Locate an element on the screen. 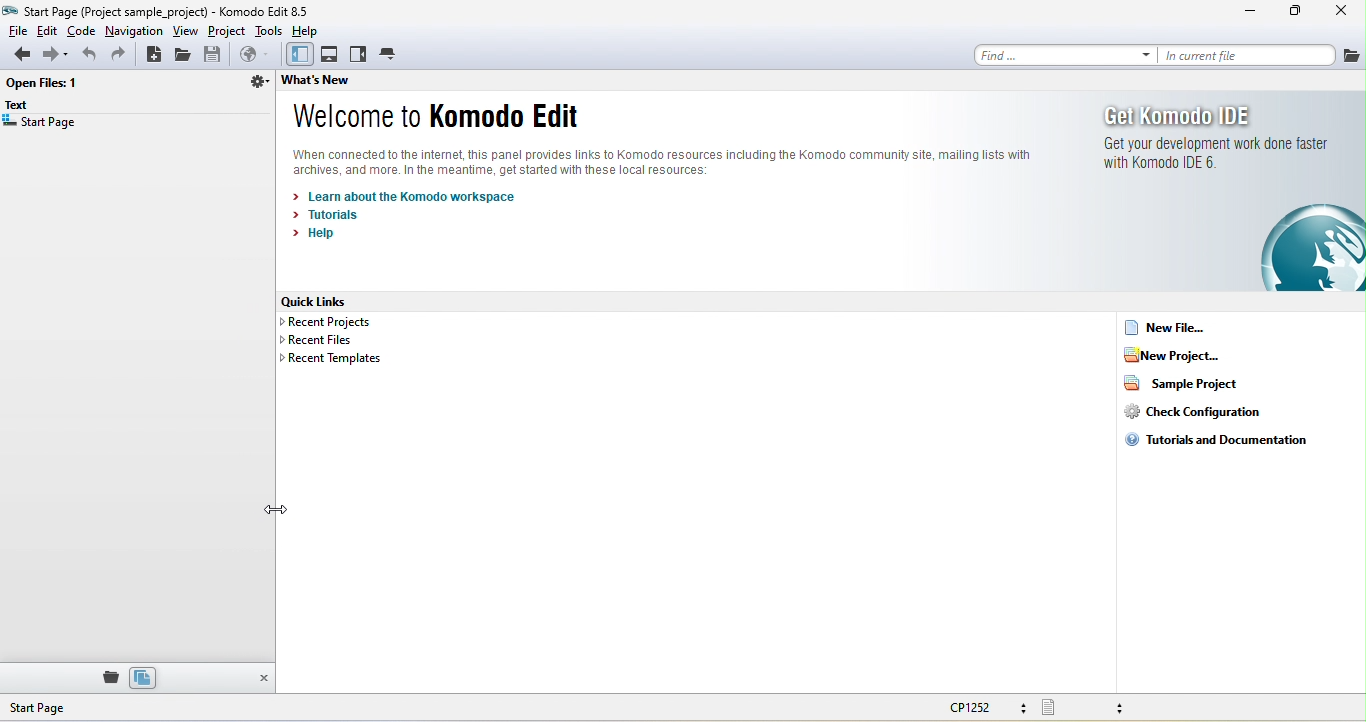 This screenshot has width=1366, height=722. redo is located at coordinates (122, 55).